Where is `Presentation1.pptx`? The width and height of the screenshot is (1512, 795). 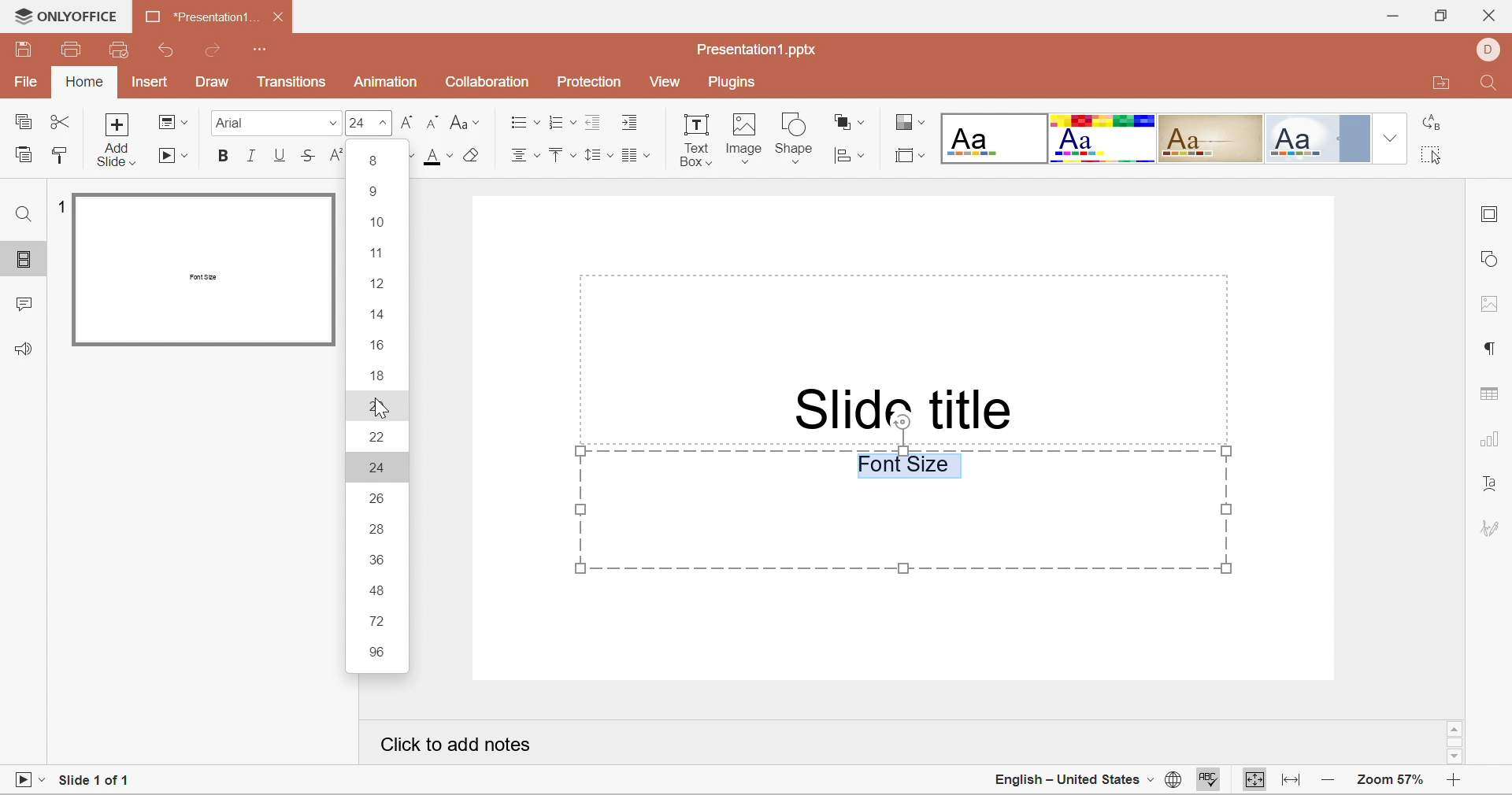
Presentation1.pptx is located at coordinates (757, 50).